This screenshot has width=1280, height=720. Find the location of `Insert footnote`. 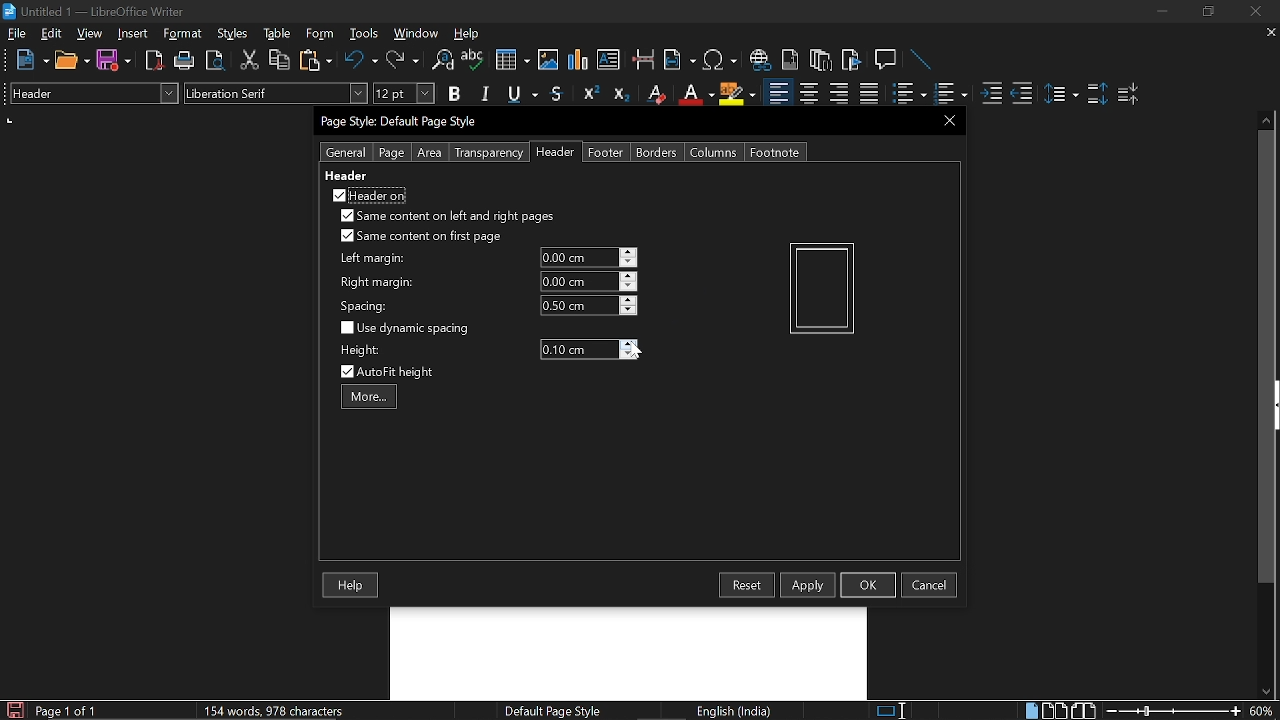

Insert footnote is located at coordinates (821, 60).